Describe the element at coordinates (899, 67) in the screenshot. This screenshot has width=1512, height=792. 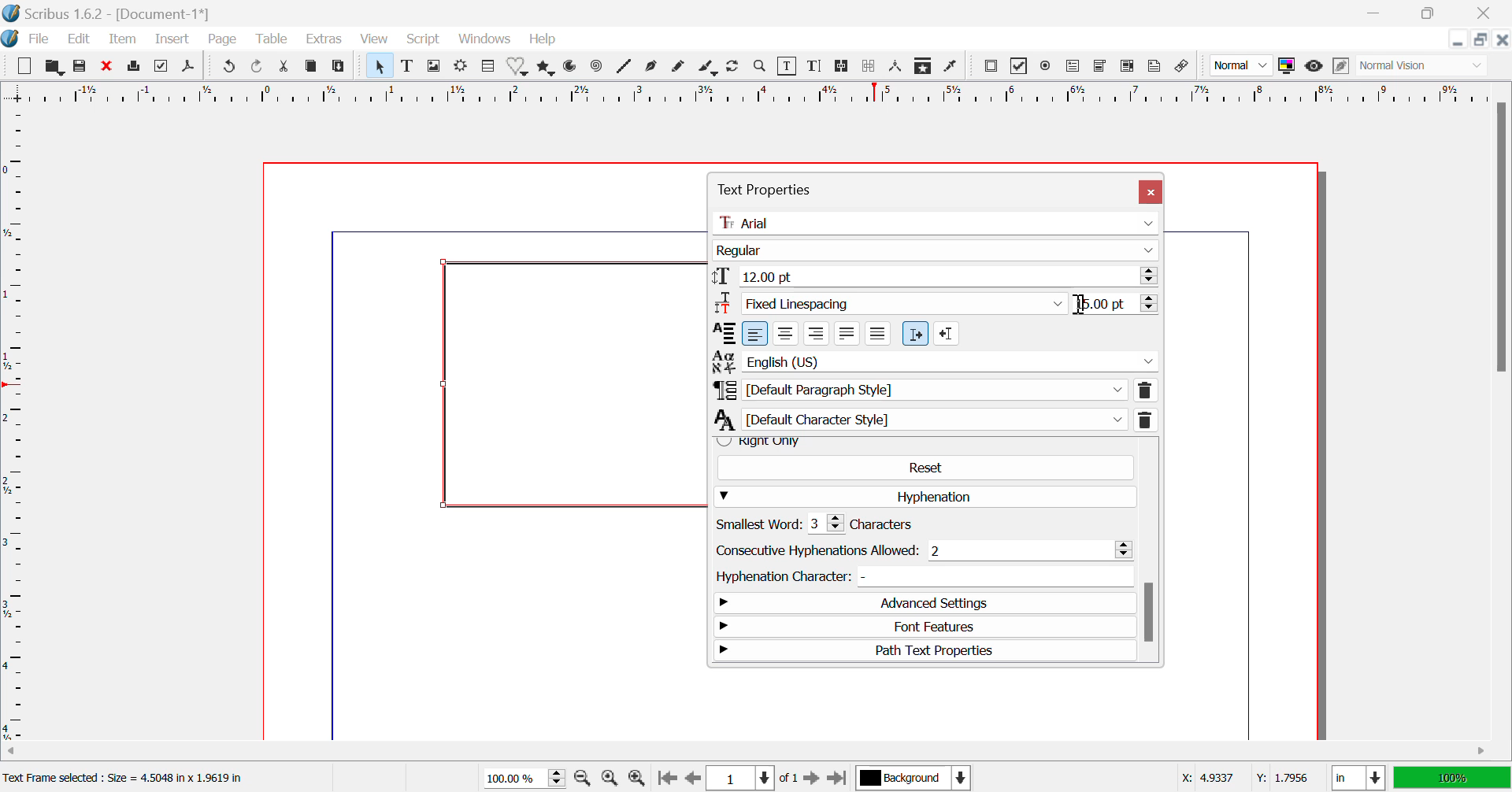
I see `Measurements` at that location.